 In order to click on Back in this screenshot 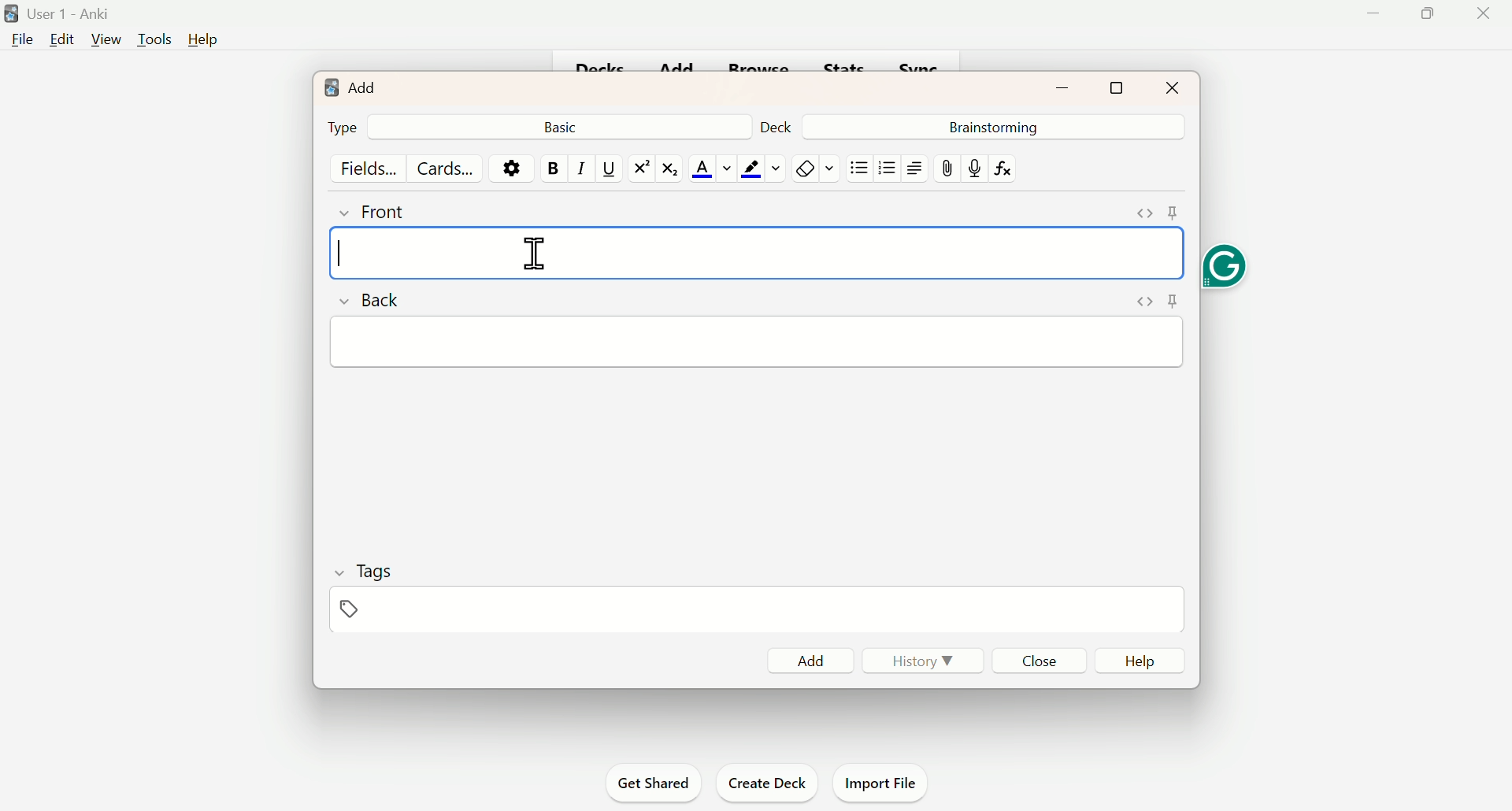, I will do `click(374, 298)`.